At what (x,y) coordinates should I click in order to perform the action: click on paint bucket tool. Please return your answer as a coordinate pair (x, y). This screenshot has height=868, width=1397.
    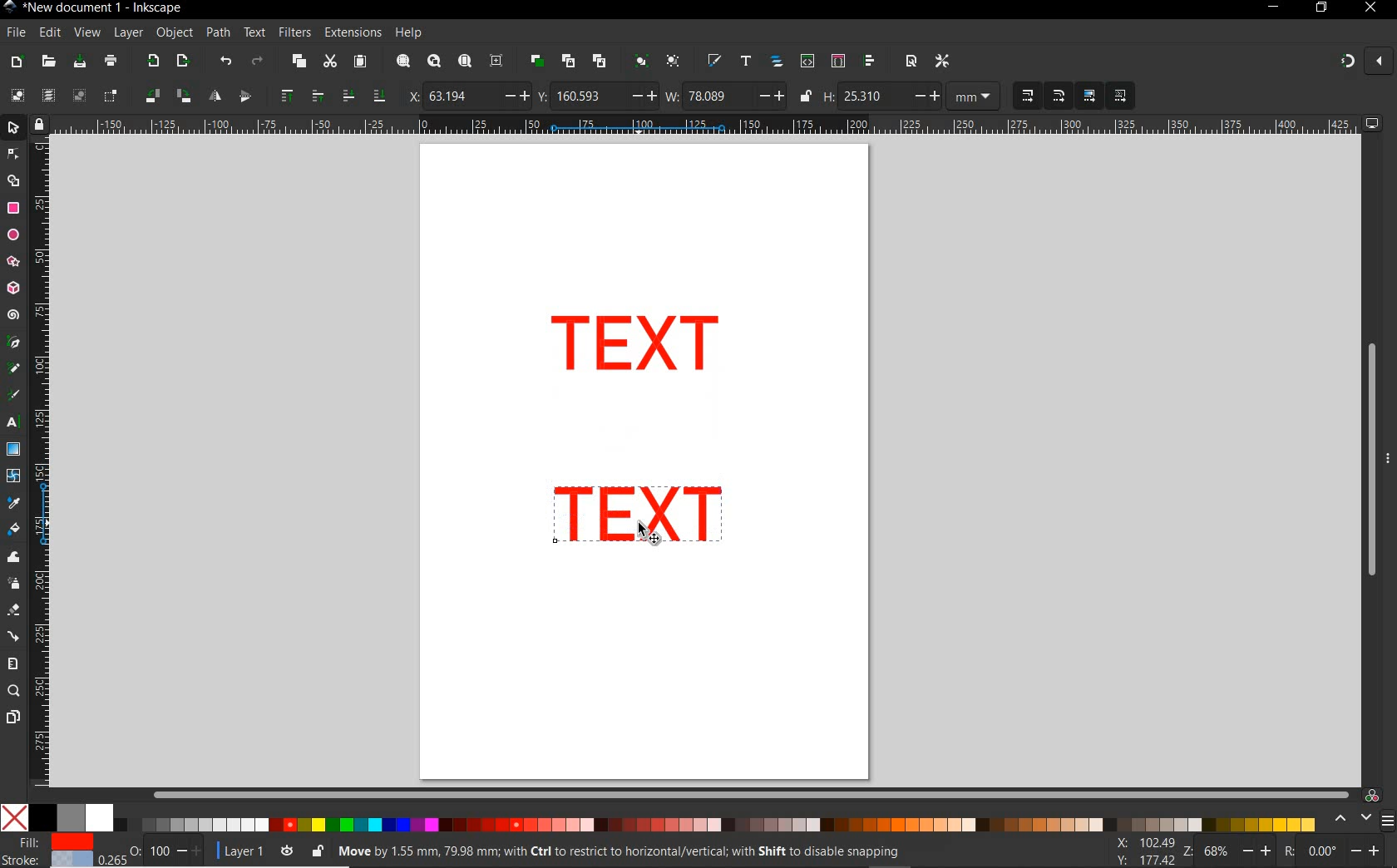
    Looking at the image, I should click on (14, 530).